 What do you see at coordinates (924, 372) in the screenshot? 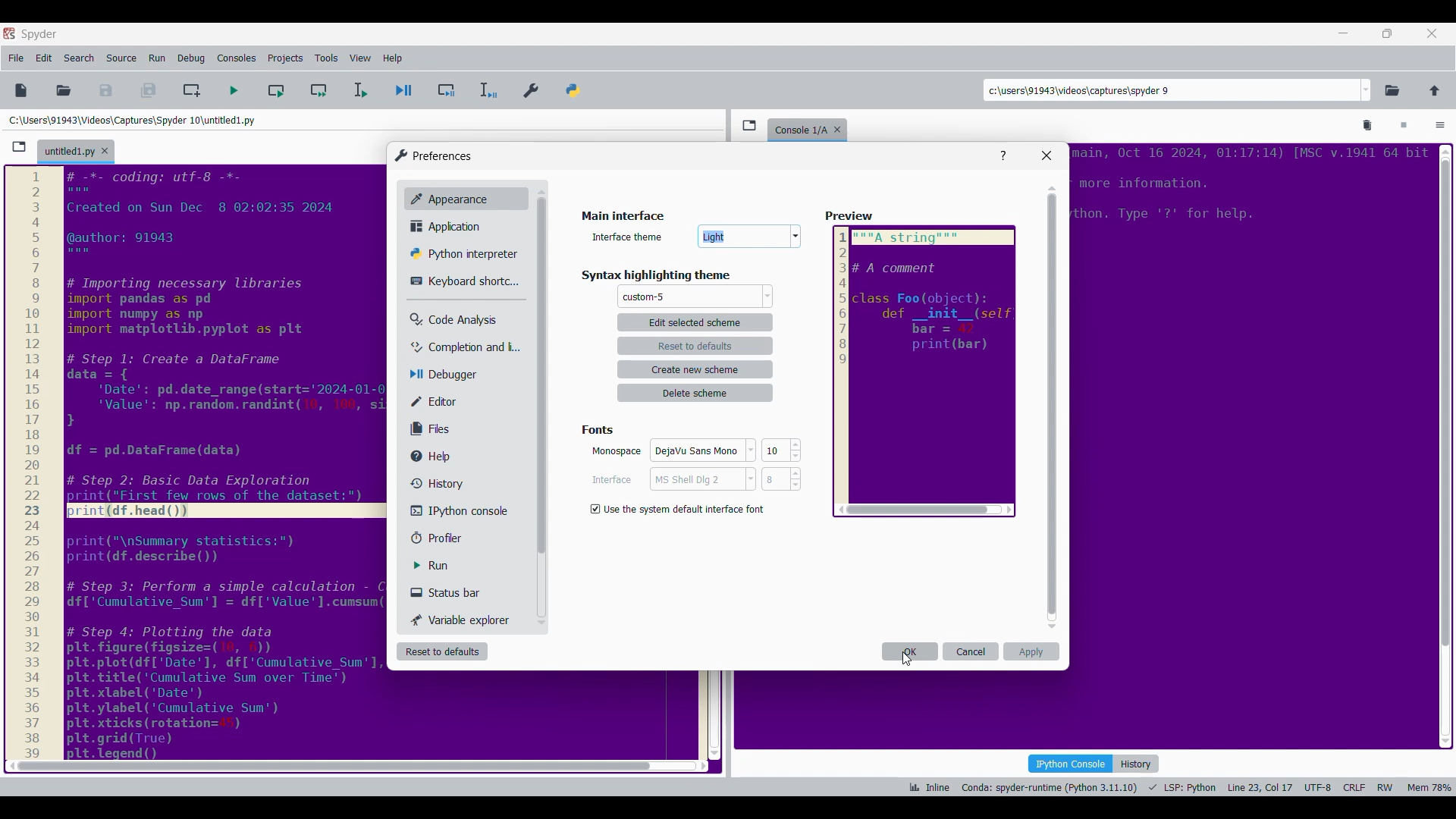
I see `Preview reflecting new custom theme` at bounding box center [924, 372].